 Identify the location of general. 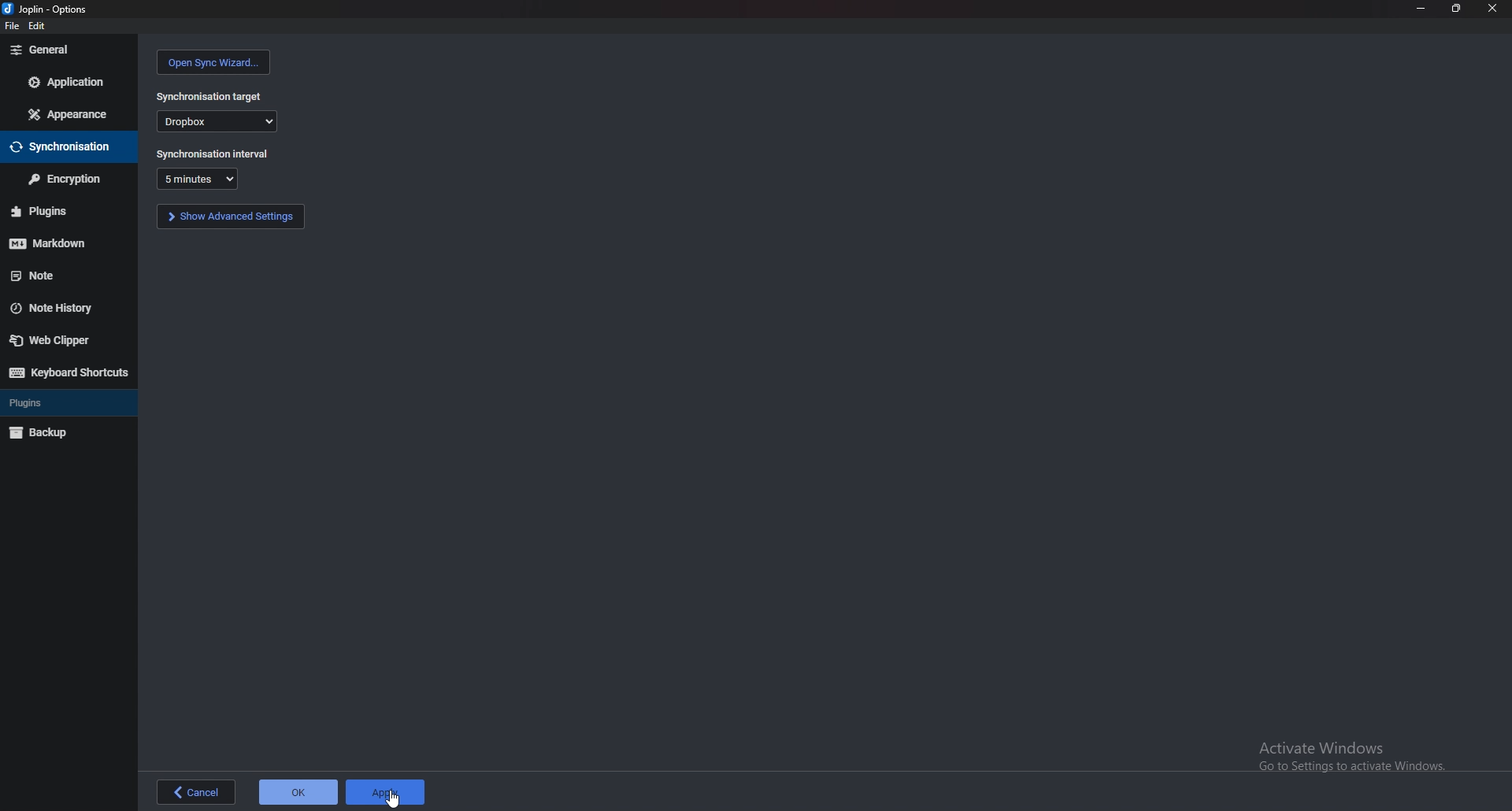
(72, 50).